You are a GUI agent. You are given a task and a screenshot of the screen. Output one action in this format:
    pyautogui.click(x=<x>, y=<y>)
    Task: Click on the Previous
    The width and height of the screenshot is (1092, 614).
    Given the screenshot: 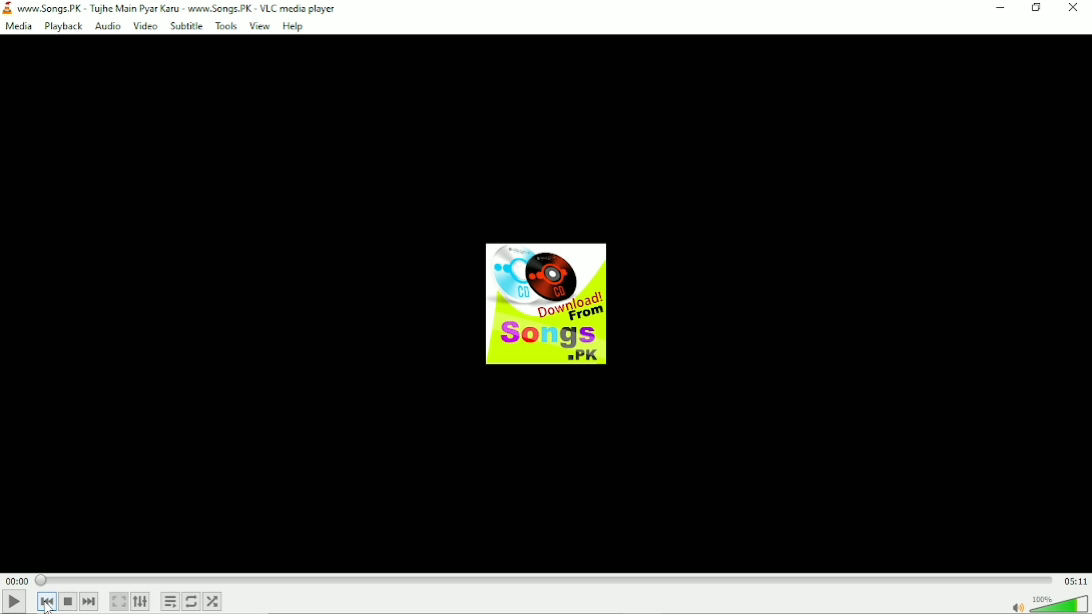 What is the action you would take?
    pyautogui.click(x=47, y=602)
    